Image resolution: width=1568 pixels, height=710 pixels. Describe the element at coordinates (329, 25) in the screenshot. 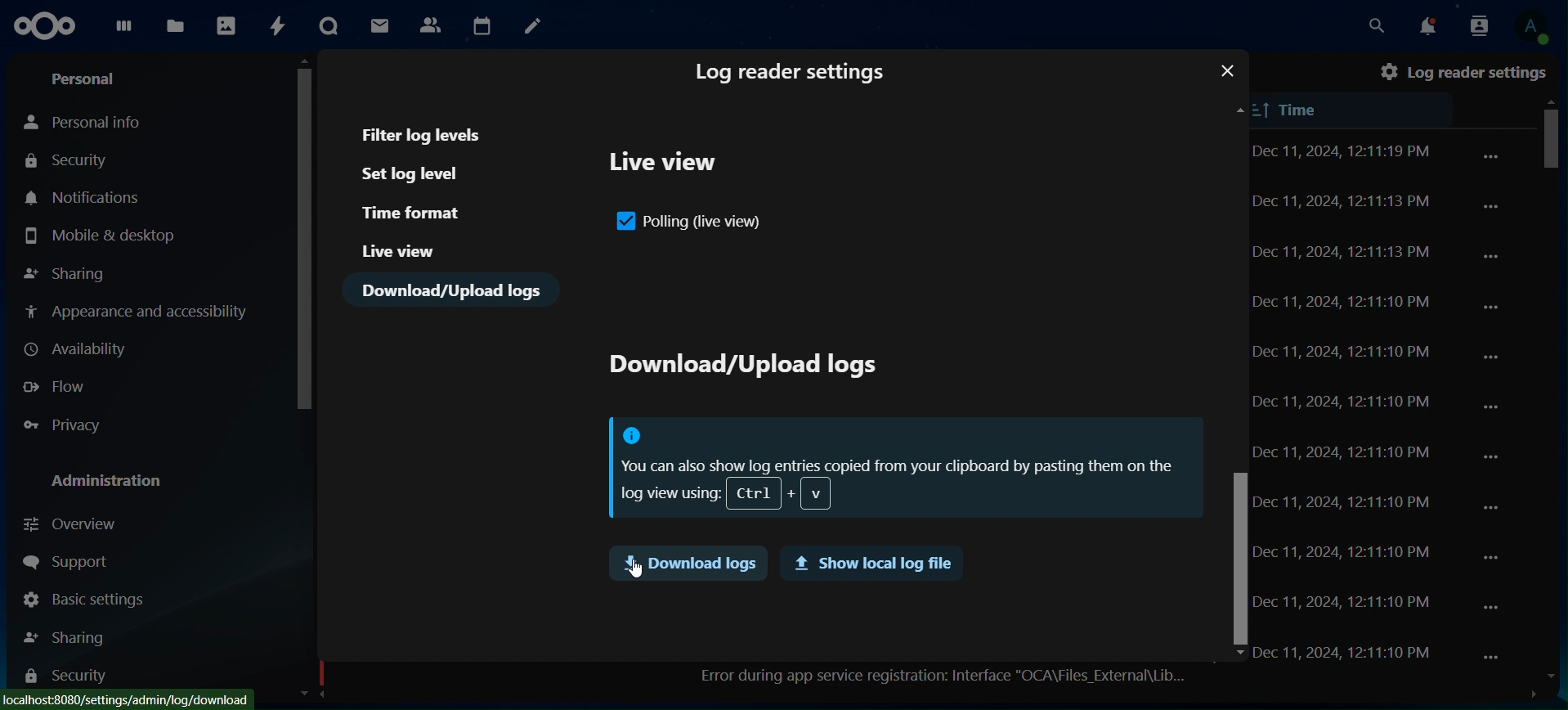

I see `talk` at that location.